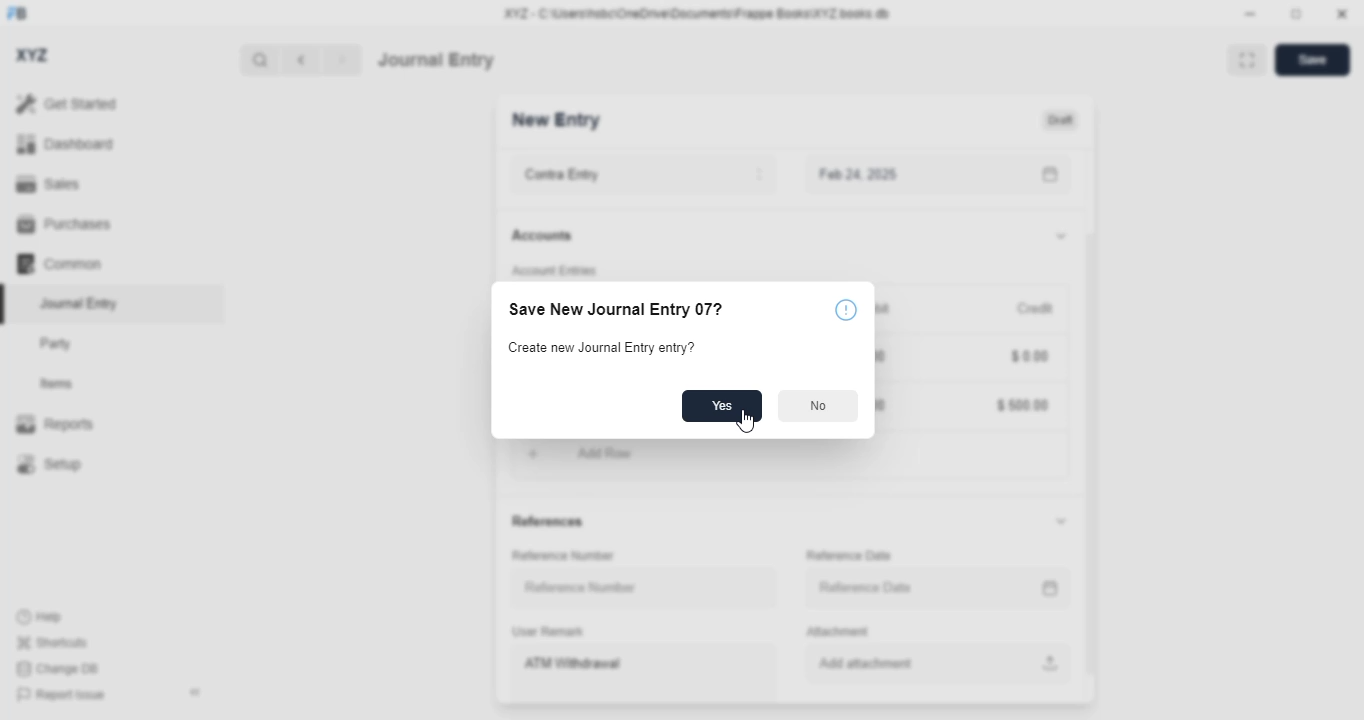 The image size is (1364, 720). Describe the element at coordinates (343, 60) in the screenshot. I see `next` at that location.